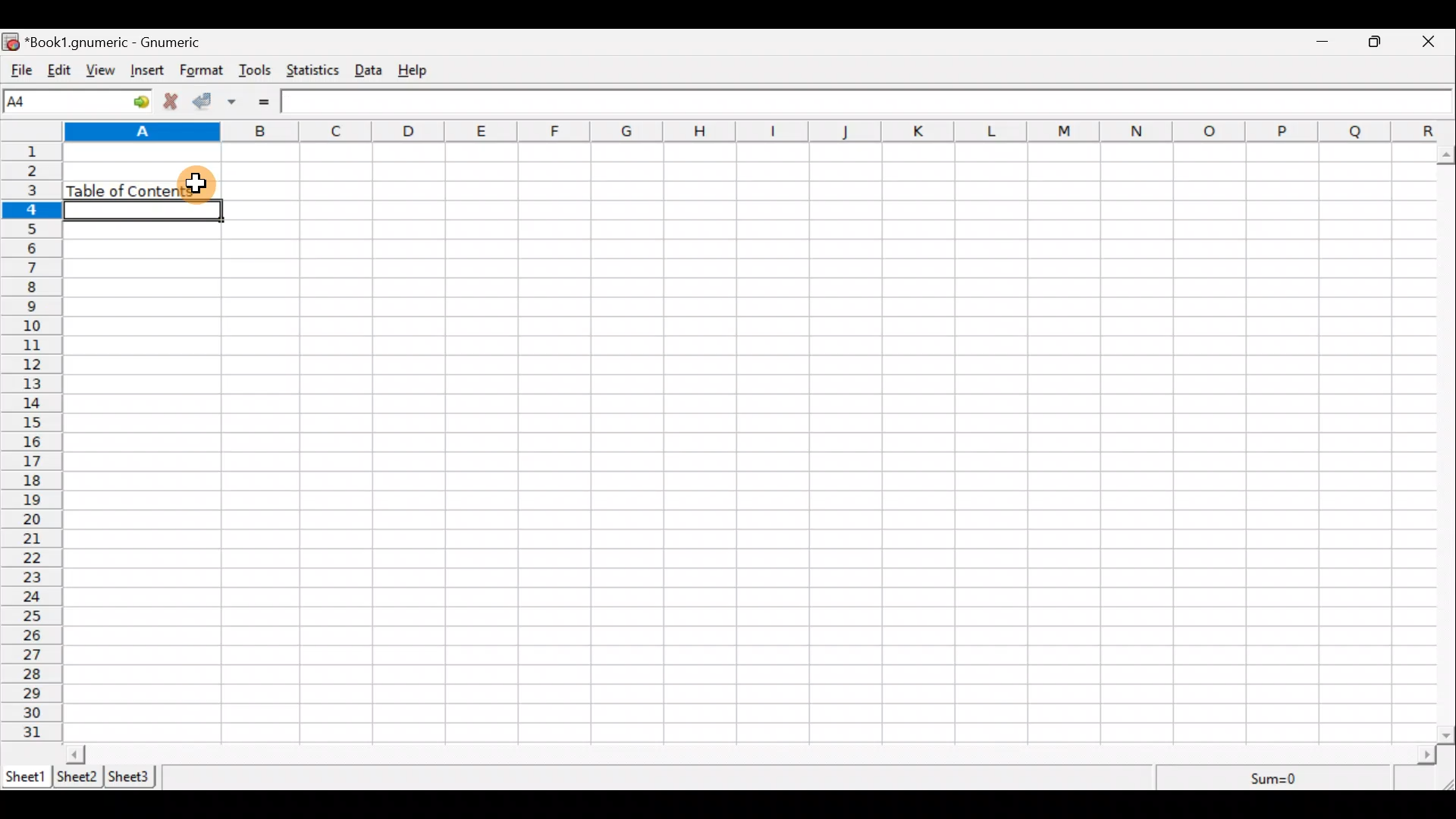 Image resolution: width=1456 pixels, height=819 pixels. What do you see at coordinates (35, 444) in the screenshot?
I see `numbering column` at bounding box center [35, 444].